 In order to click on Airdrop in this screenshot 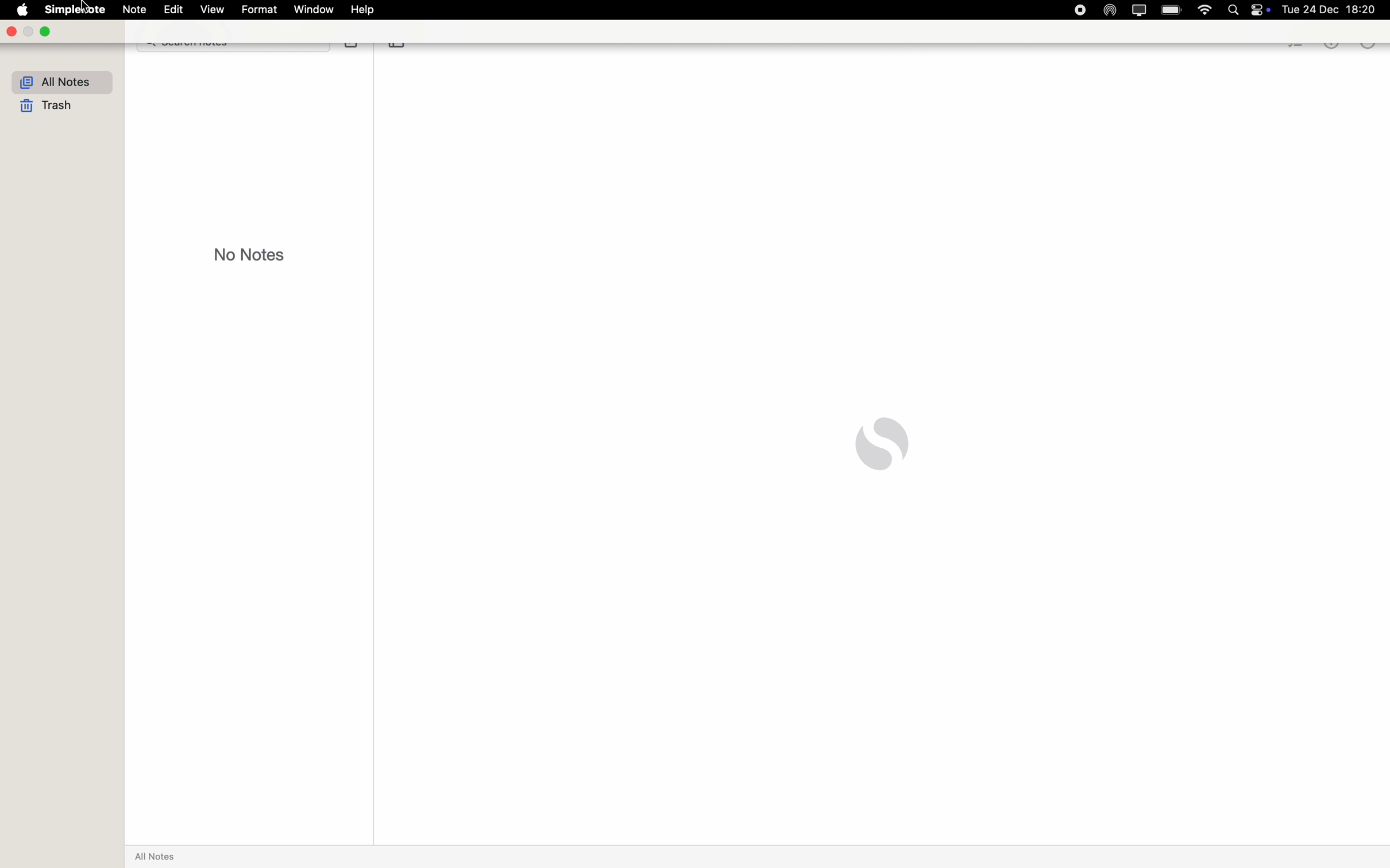, I will do `click(1107, 9)`.